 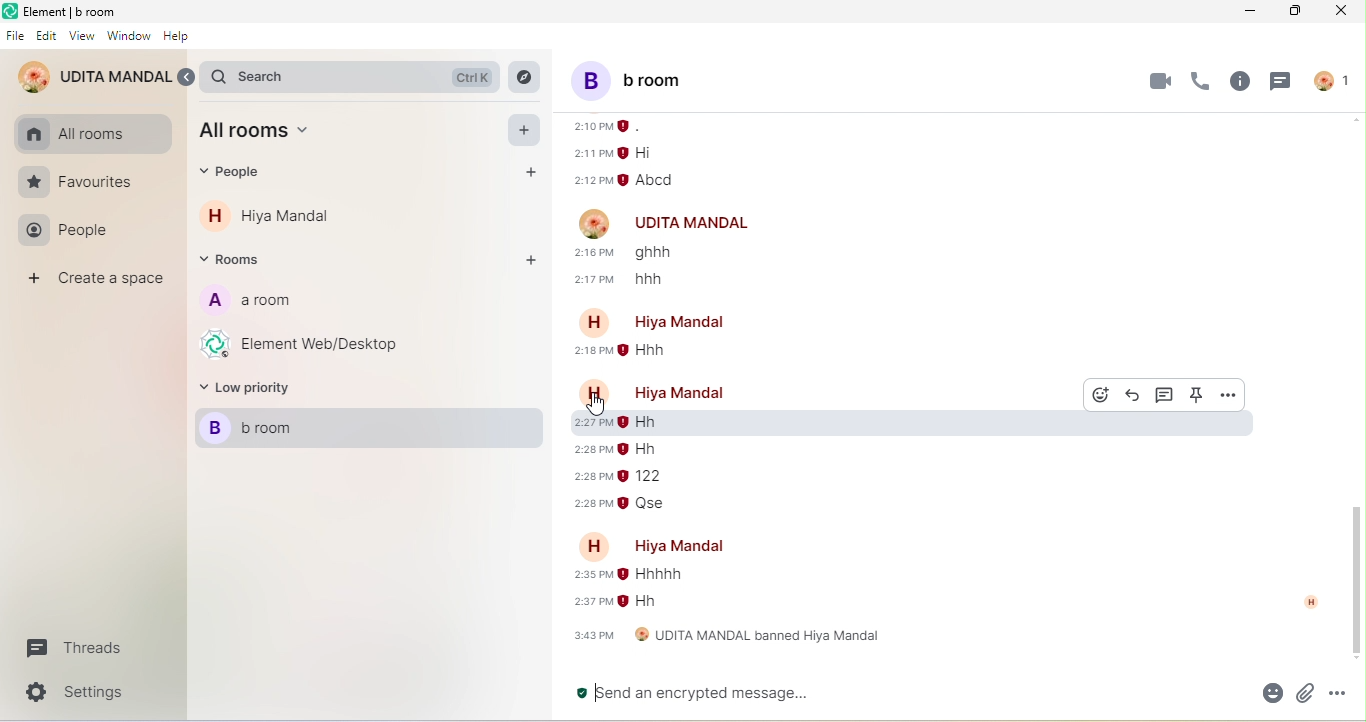 I want to click on time of message sending, so click(x=593, y=180).